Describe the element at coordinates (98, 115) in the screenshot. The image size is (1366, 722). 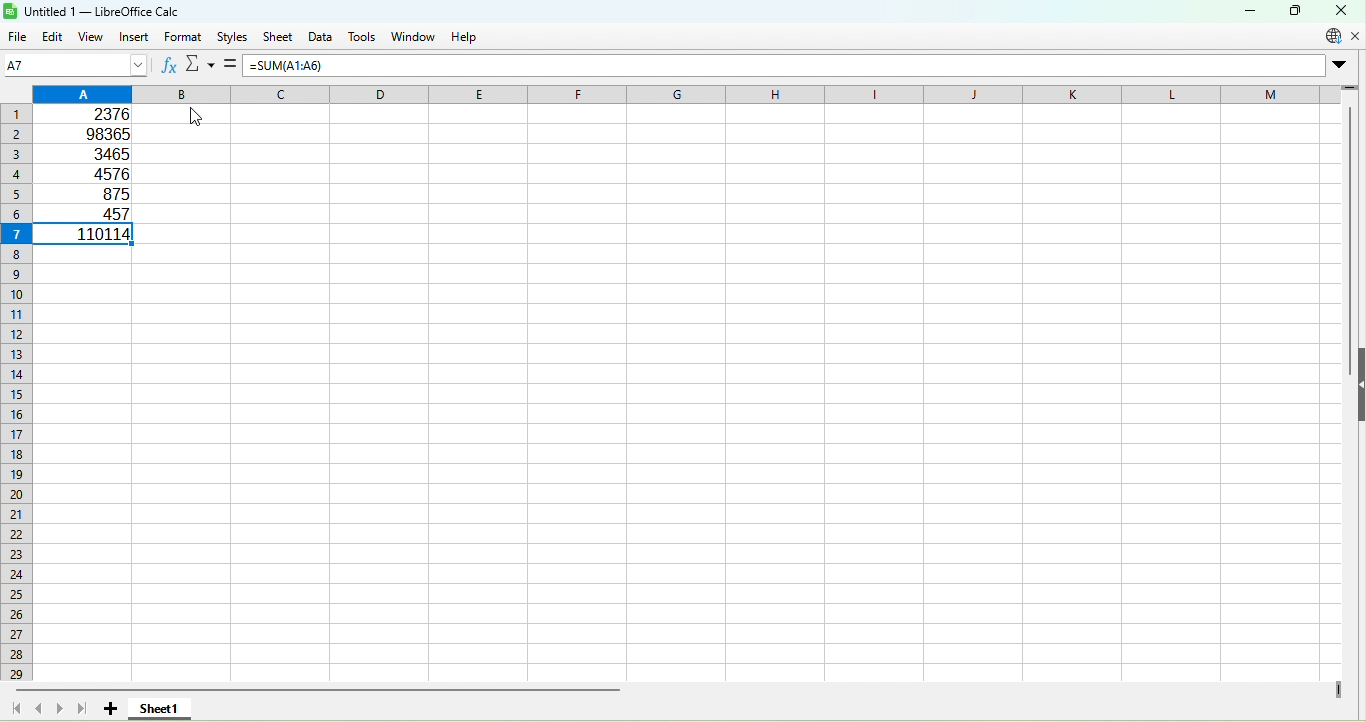
I see `2376` at that location.